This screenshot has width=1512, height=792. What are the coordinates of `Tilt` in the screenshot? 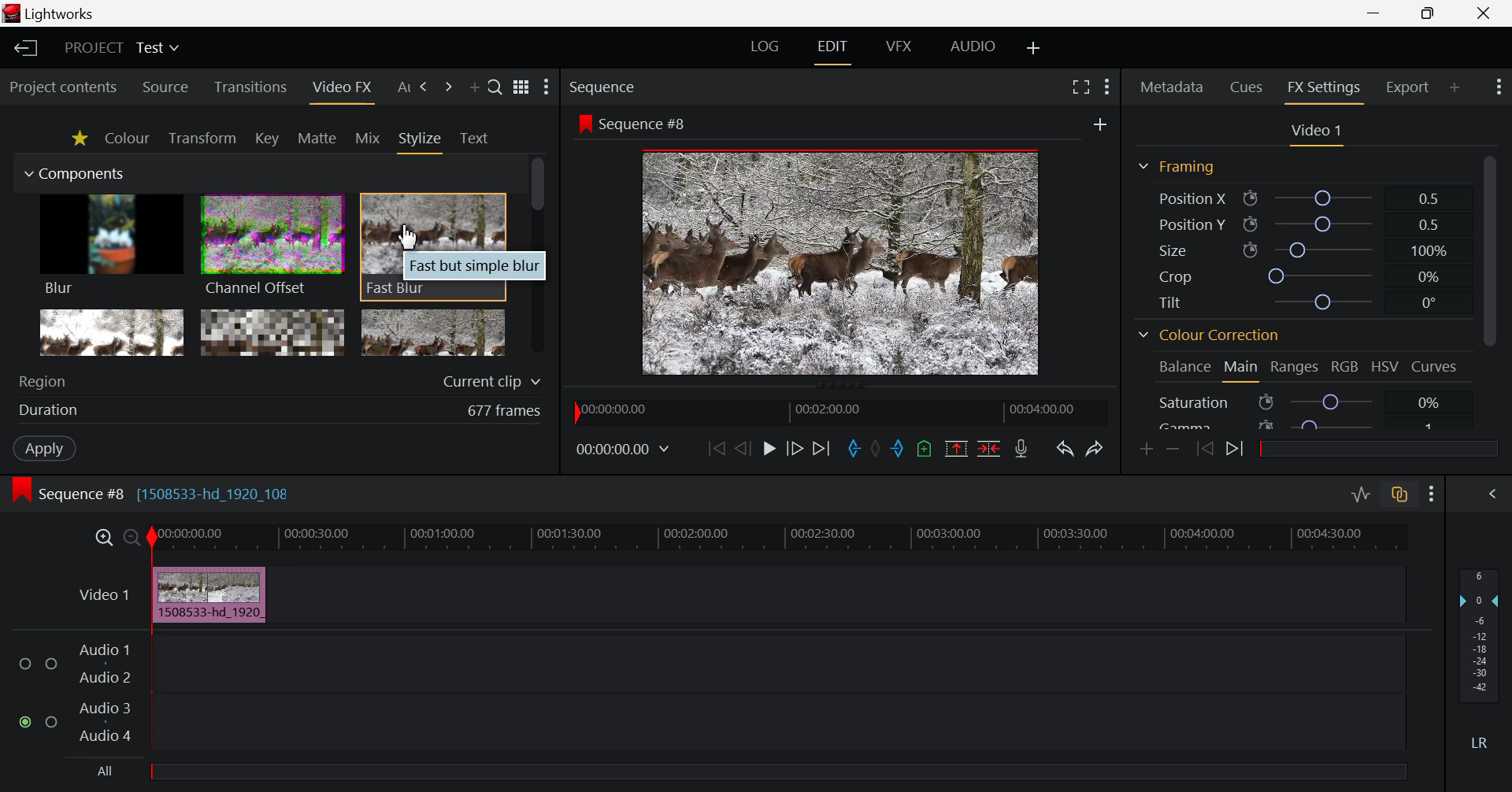 It's located at (1303, 301).